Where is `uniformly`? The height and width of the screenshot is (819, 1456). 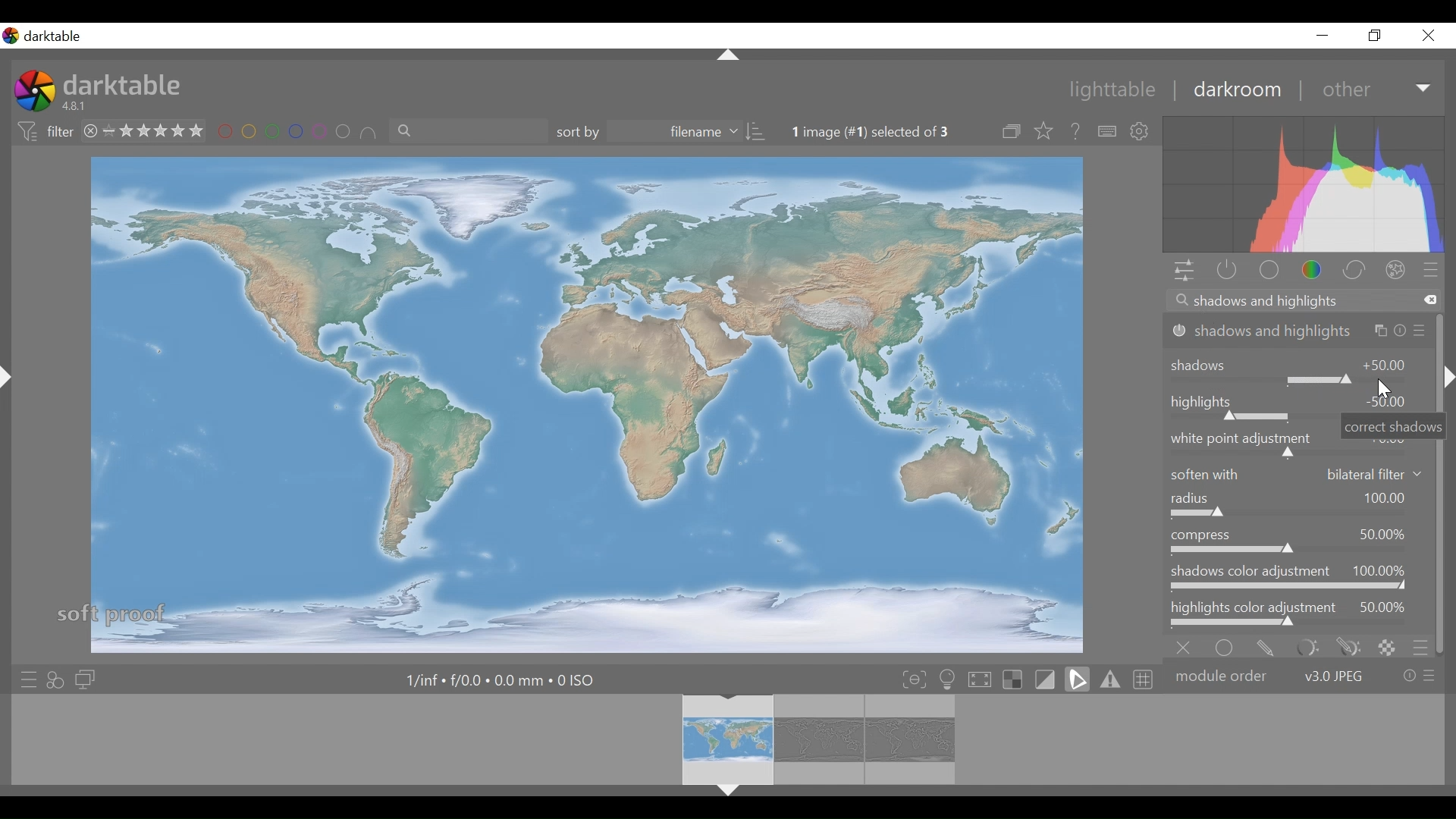
uniformly is located at coordinates (1228, 646).